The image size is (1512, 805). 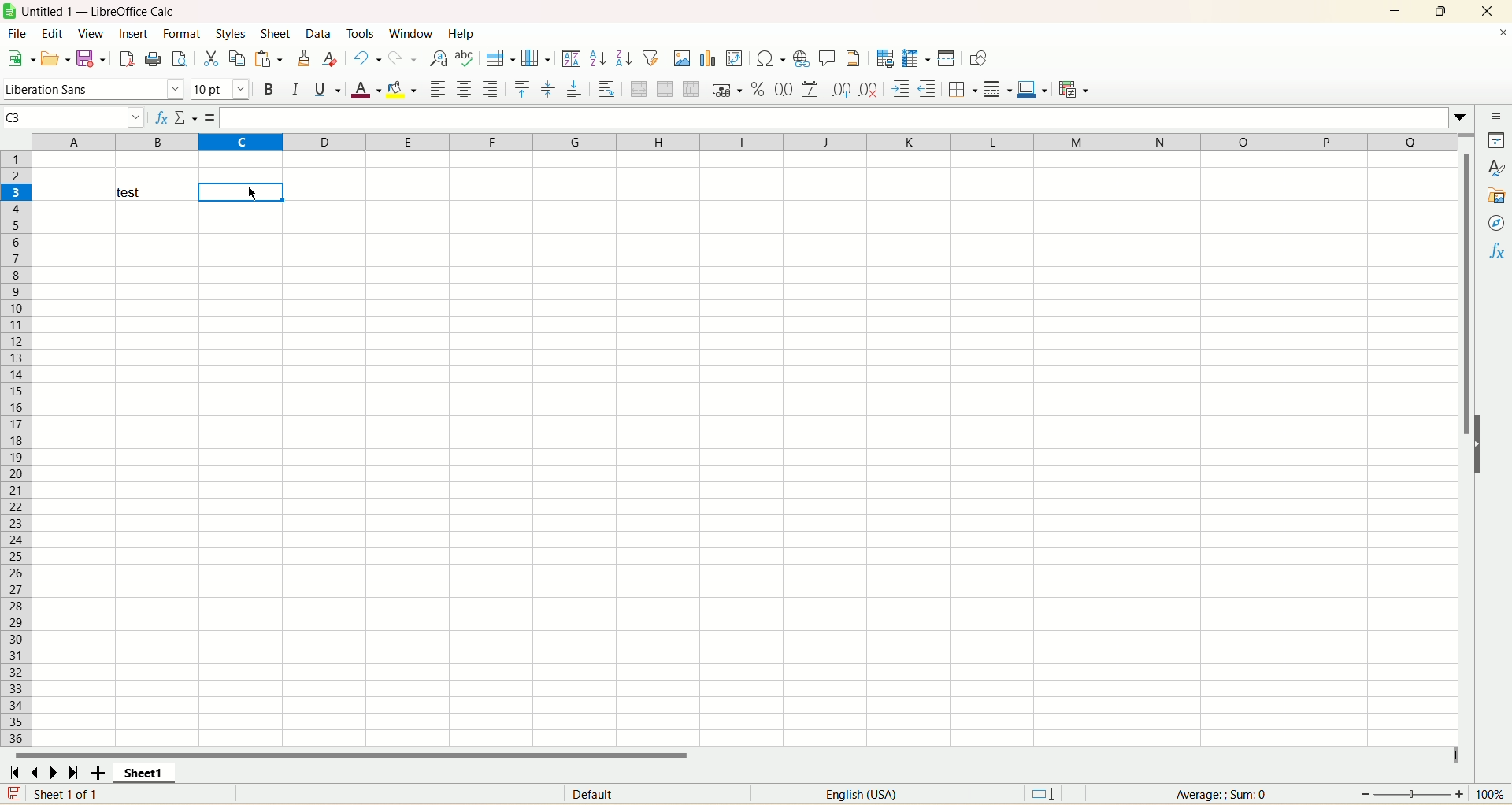 I want to click on edit, so click(x=53, y=33).